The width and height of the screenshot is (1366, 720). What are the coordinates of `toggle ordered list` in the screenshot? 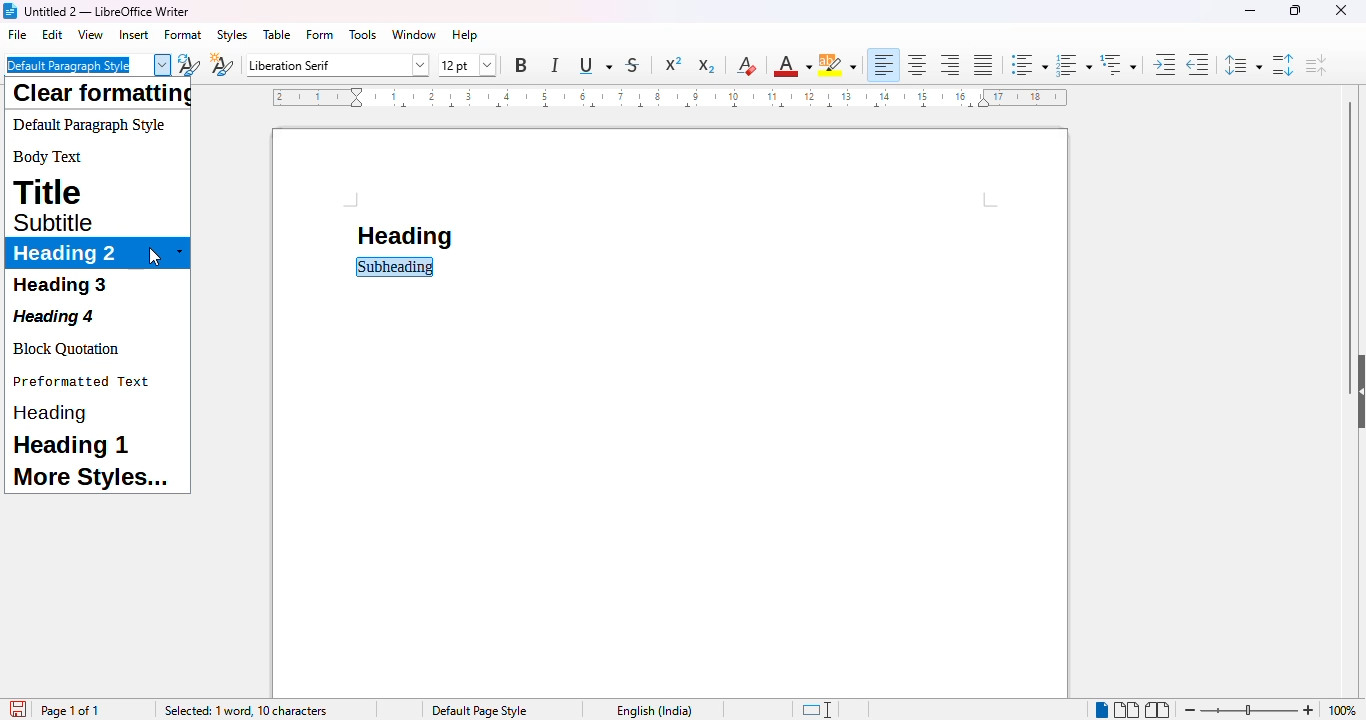 It's located at (1074, 65).